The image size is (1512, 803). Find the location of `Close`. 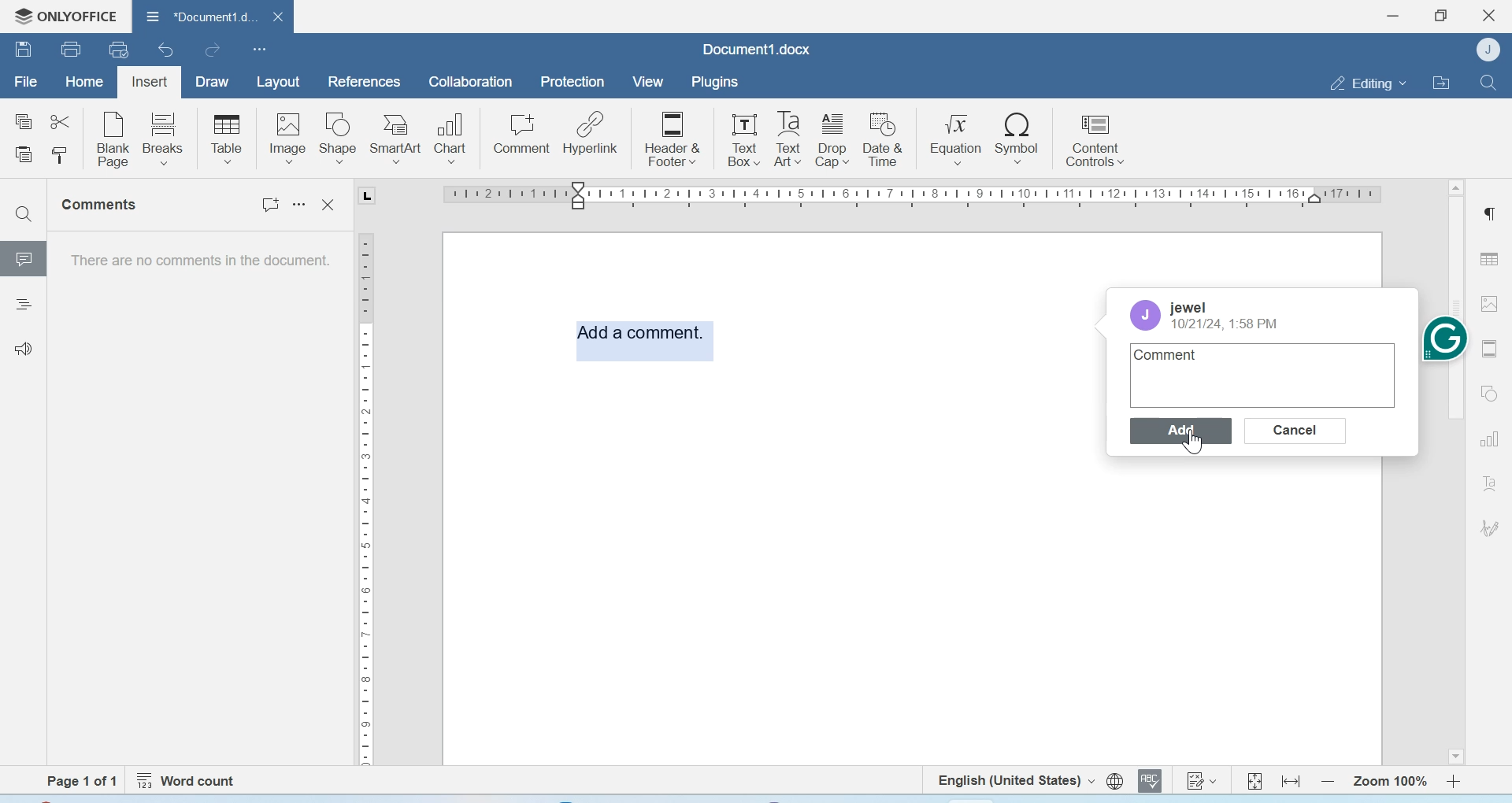

Close is located at coordinates (1491, 16).